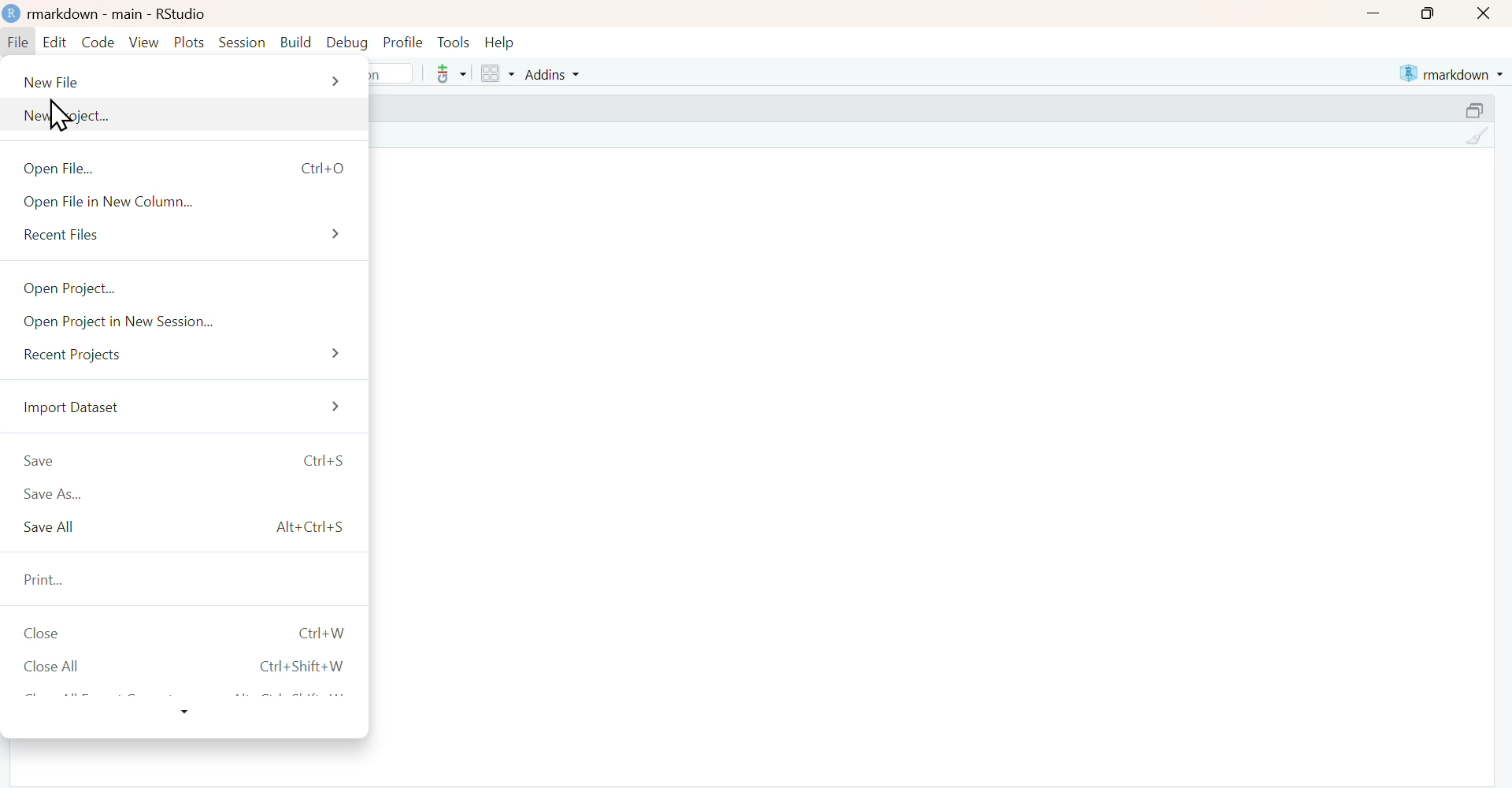 This screenshot has height=788, width=1512. Describe the element at coordinates (1451, 73) in the screenshot. I see `current project - rmarkdown` at that location.